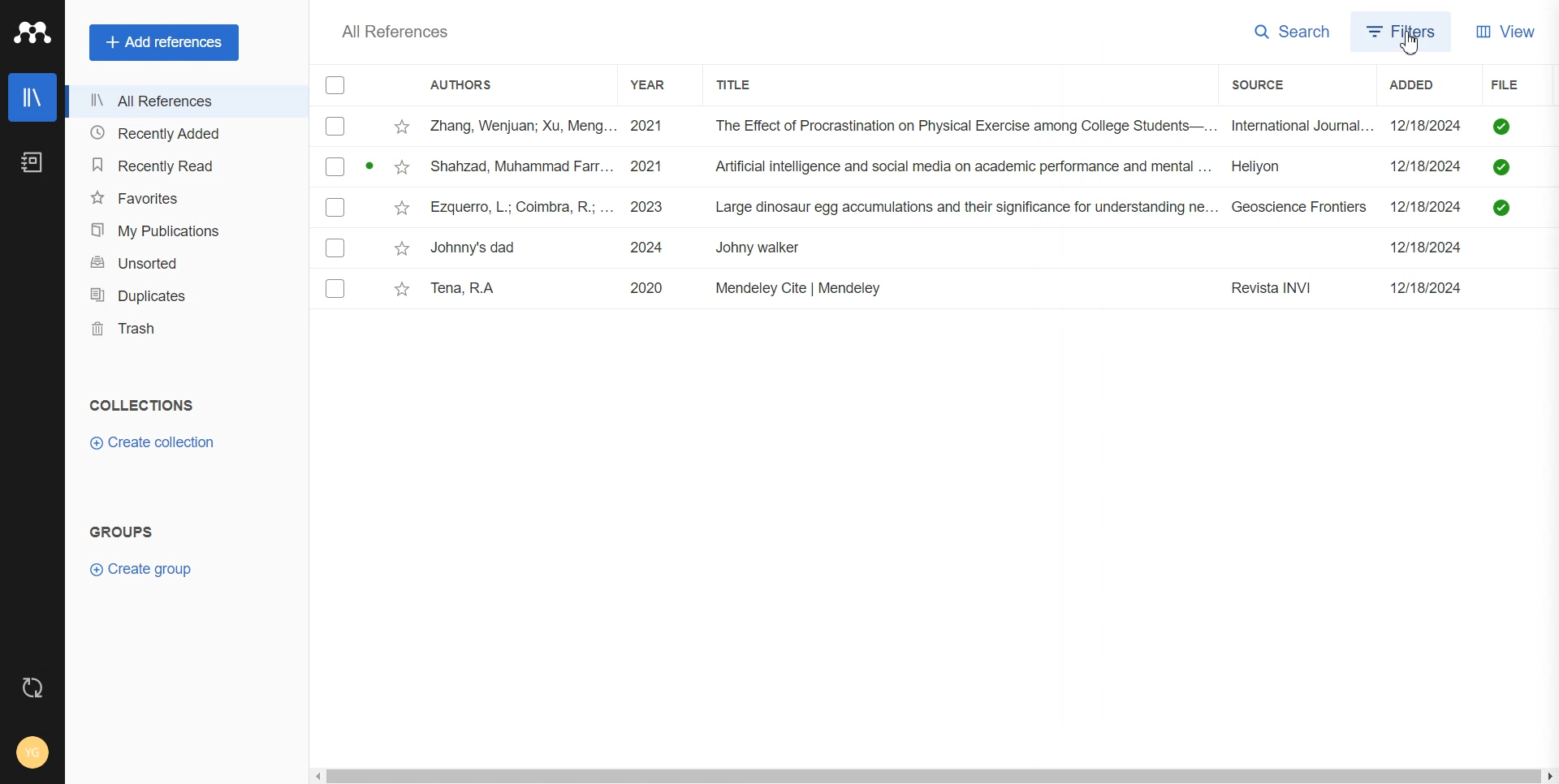 The height and width of the screenshot is (784, 1559). What do you see at coordinates (164, 41) in the screenshot?
I see `Add references` at bounding box center [164, 41].